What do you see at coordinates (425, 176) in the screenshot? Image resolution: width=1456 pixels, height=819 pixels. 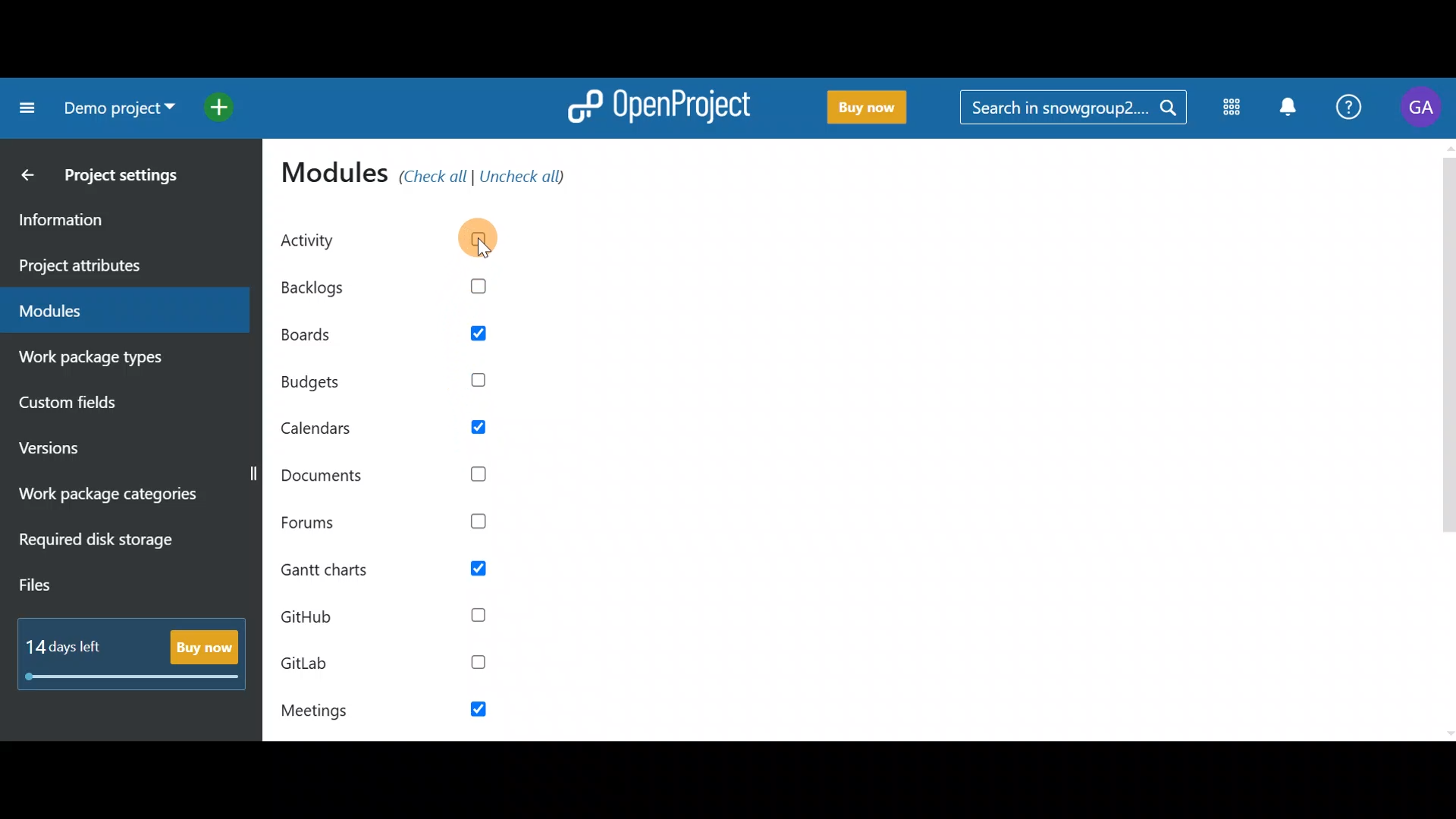 I see `Modules (check all/uncheck all)` at bounding box center [425, 176].